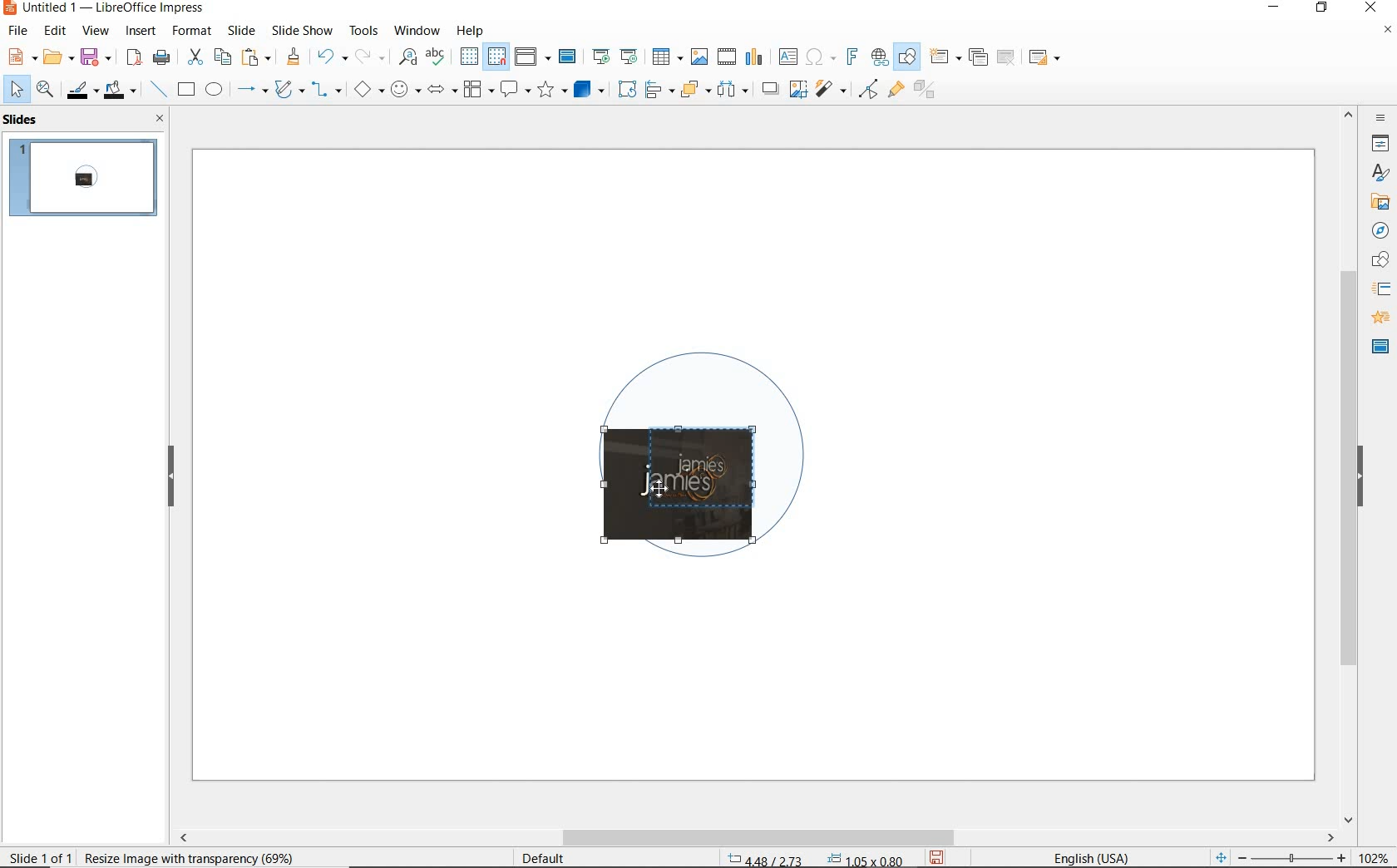 The height and width of the screenshot is (868, 1397). What do you see at coordinates (407, 57) in the screenshot?
I see `find and replace` at bounding box center [407, 57].